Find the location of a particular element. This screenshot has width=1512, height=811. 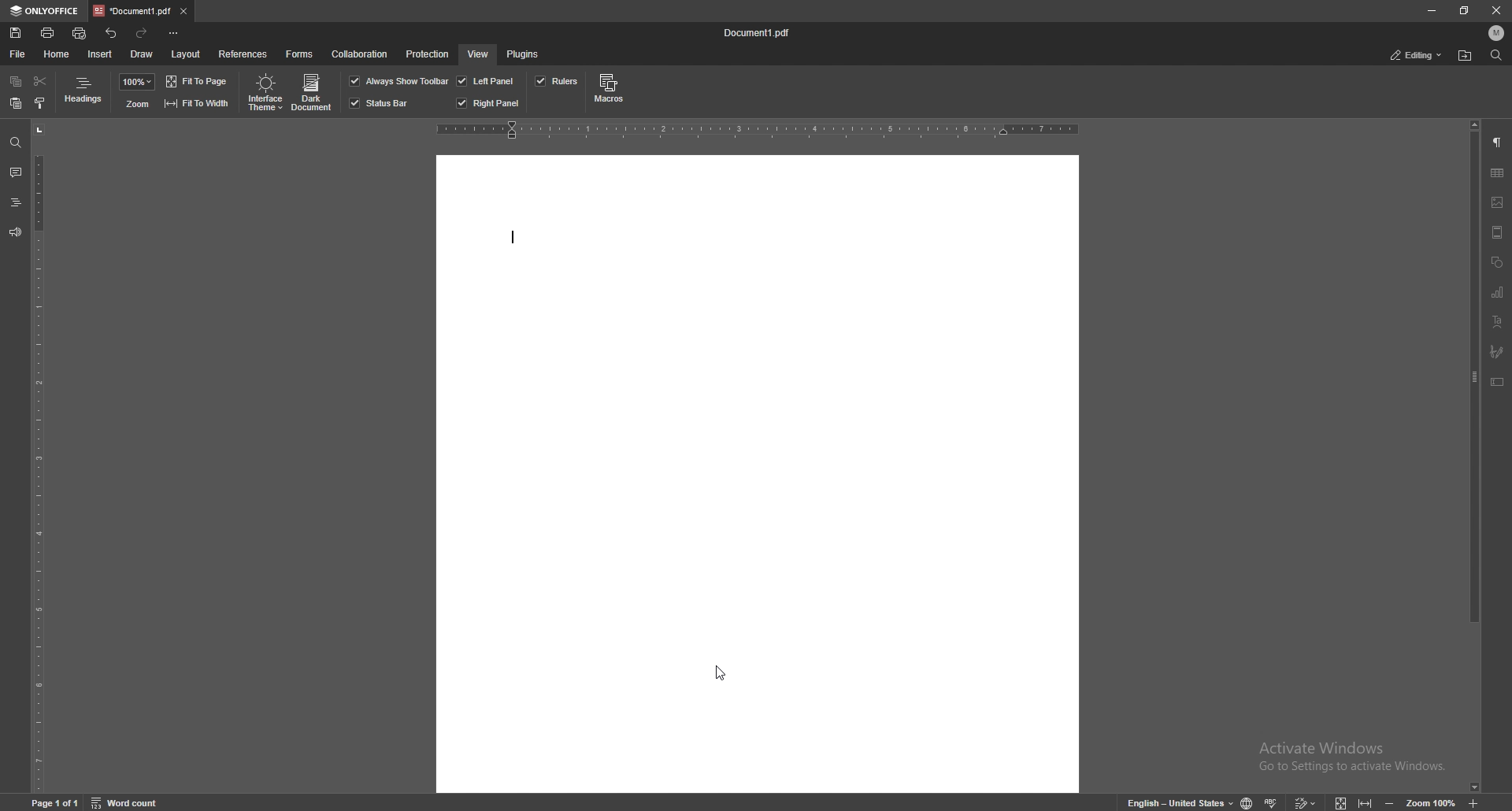

plugins is located at coordinates (524, 54).